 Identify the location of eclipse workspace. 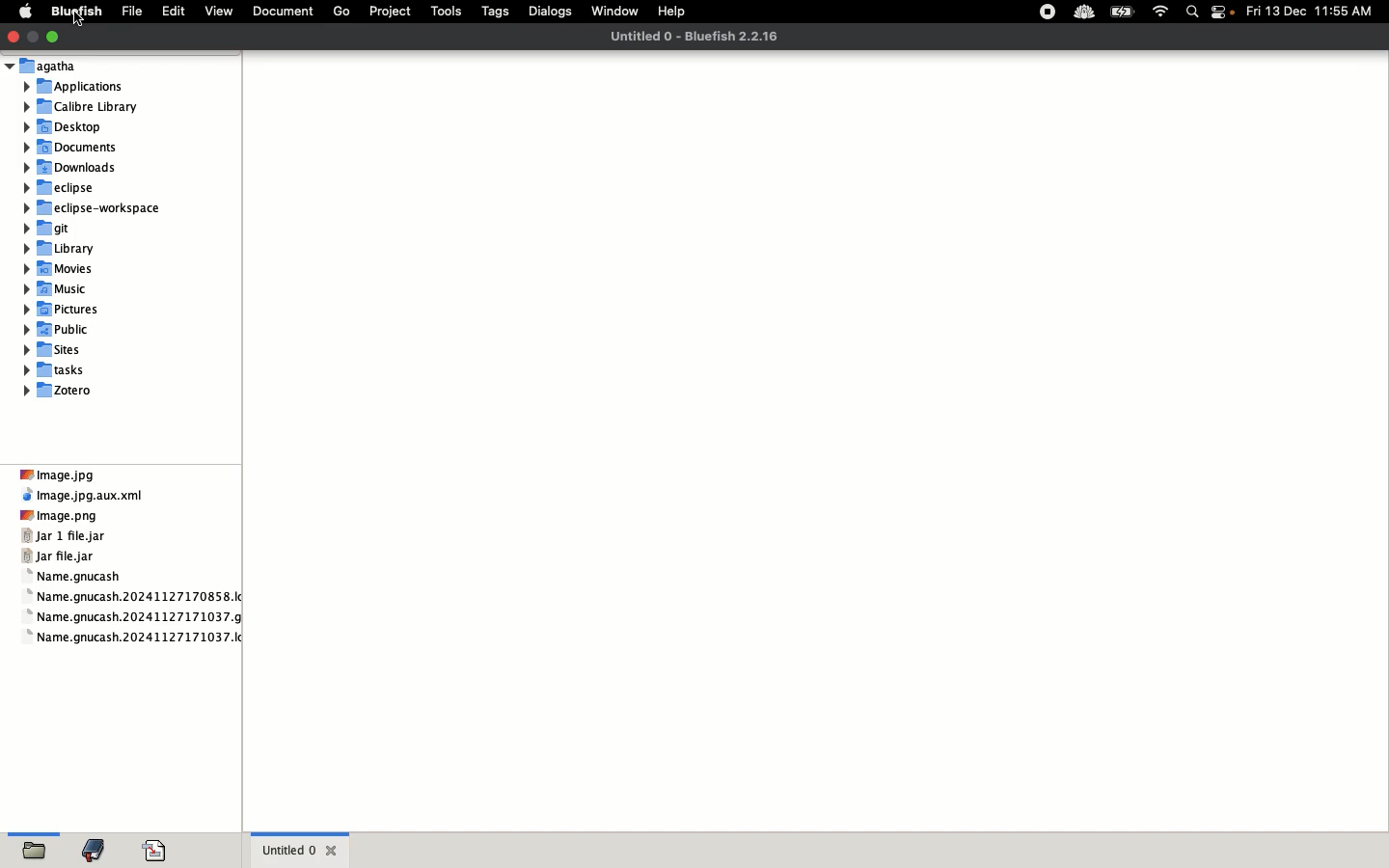
(95, 208).